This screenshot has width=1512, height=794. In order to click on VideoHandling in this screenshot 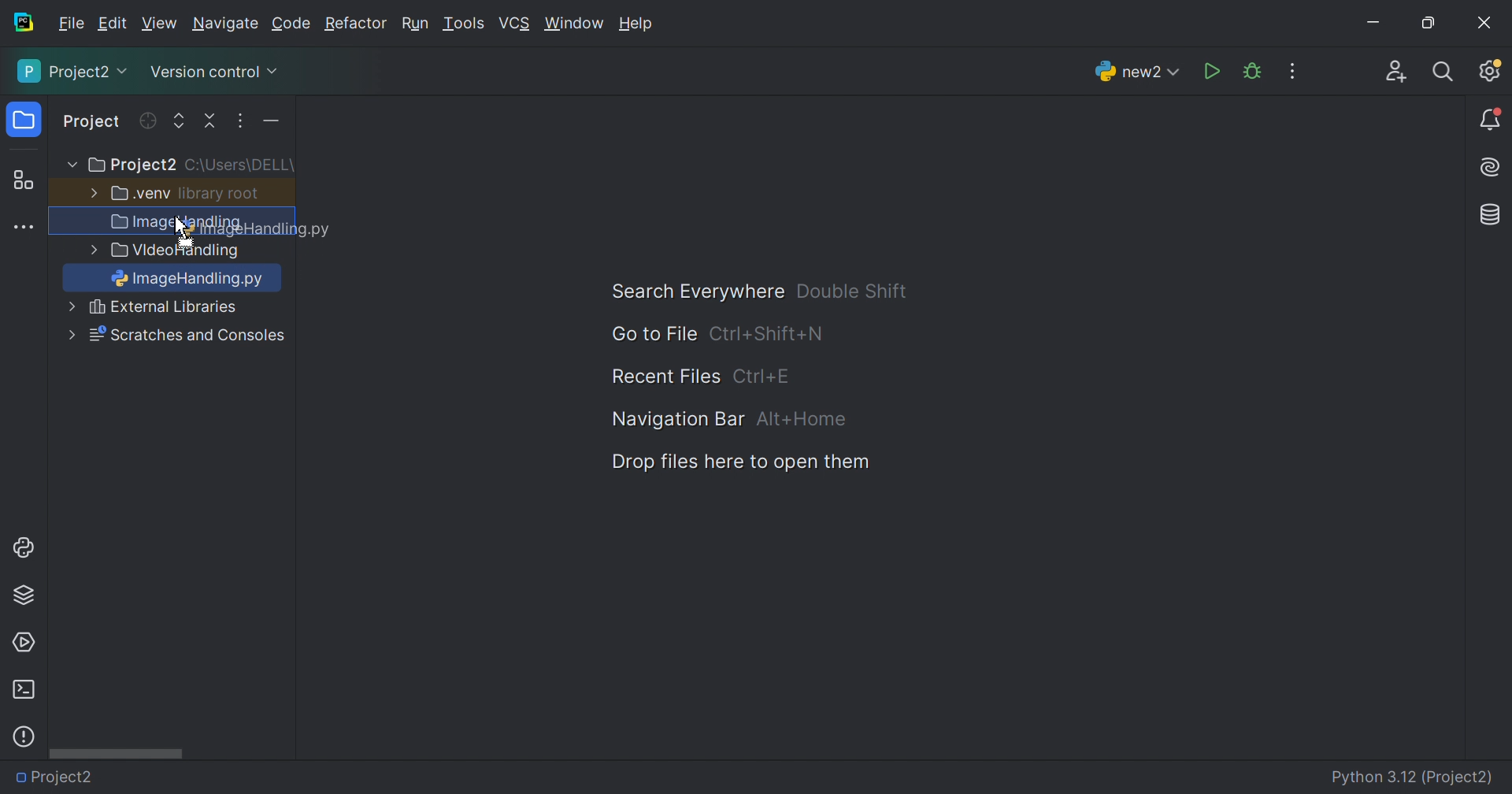, I will do `click(178, 252)`.